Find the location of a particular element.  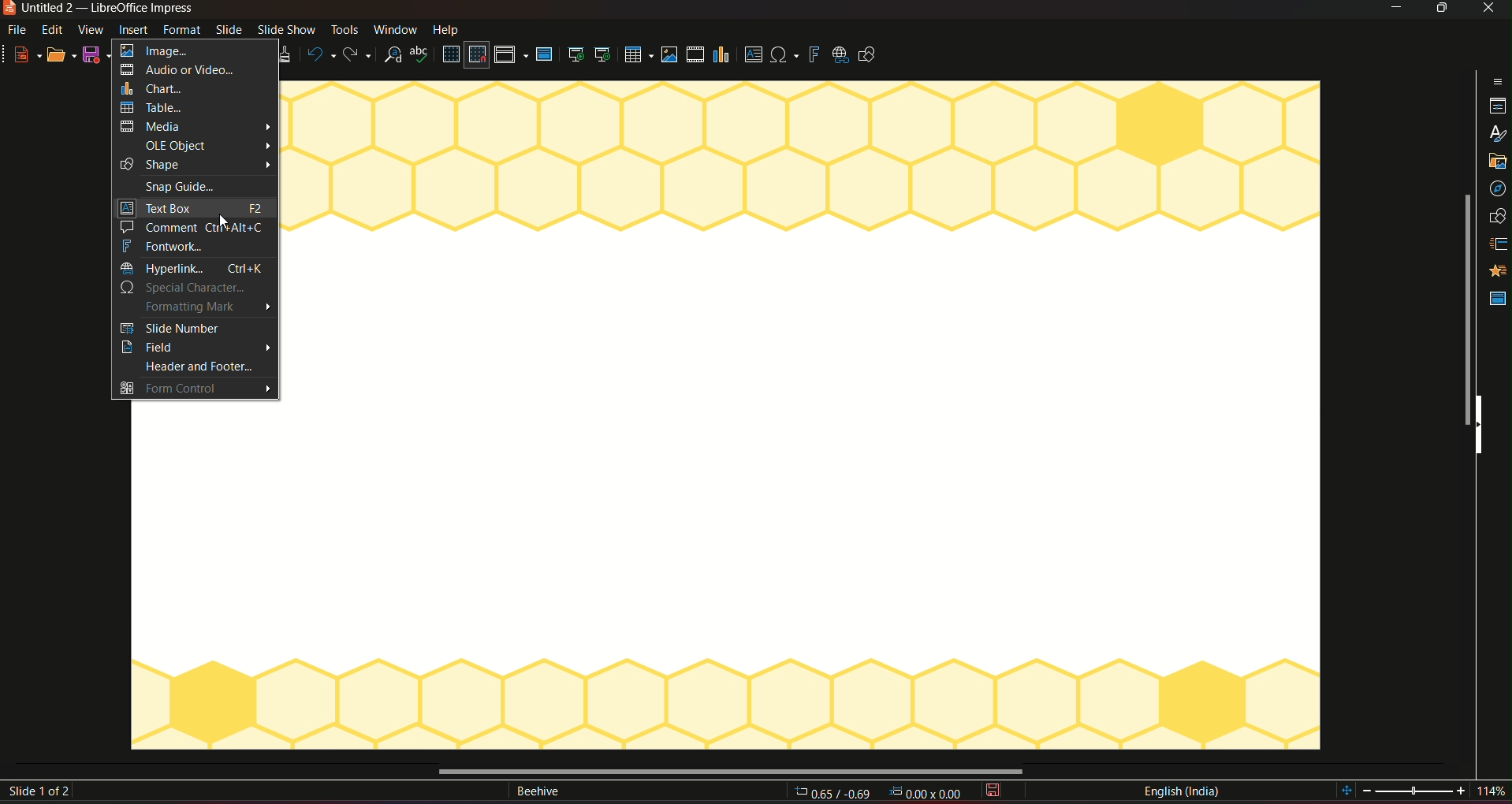

redo is located at coordinates (360, 54).